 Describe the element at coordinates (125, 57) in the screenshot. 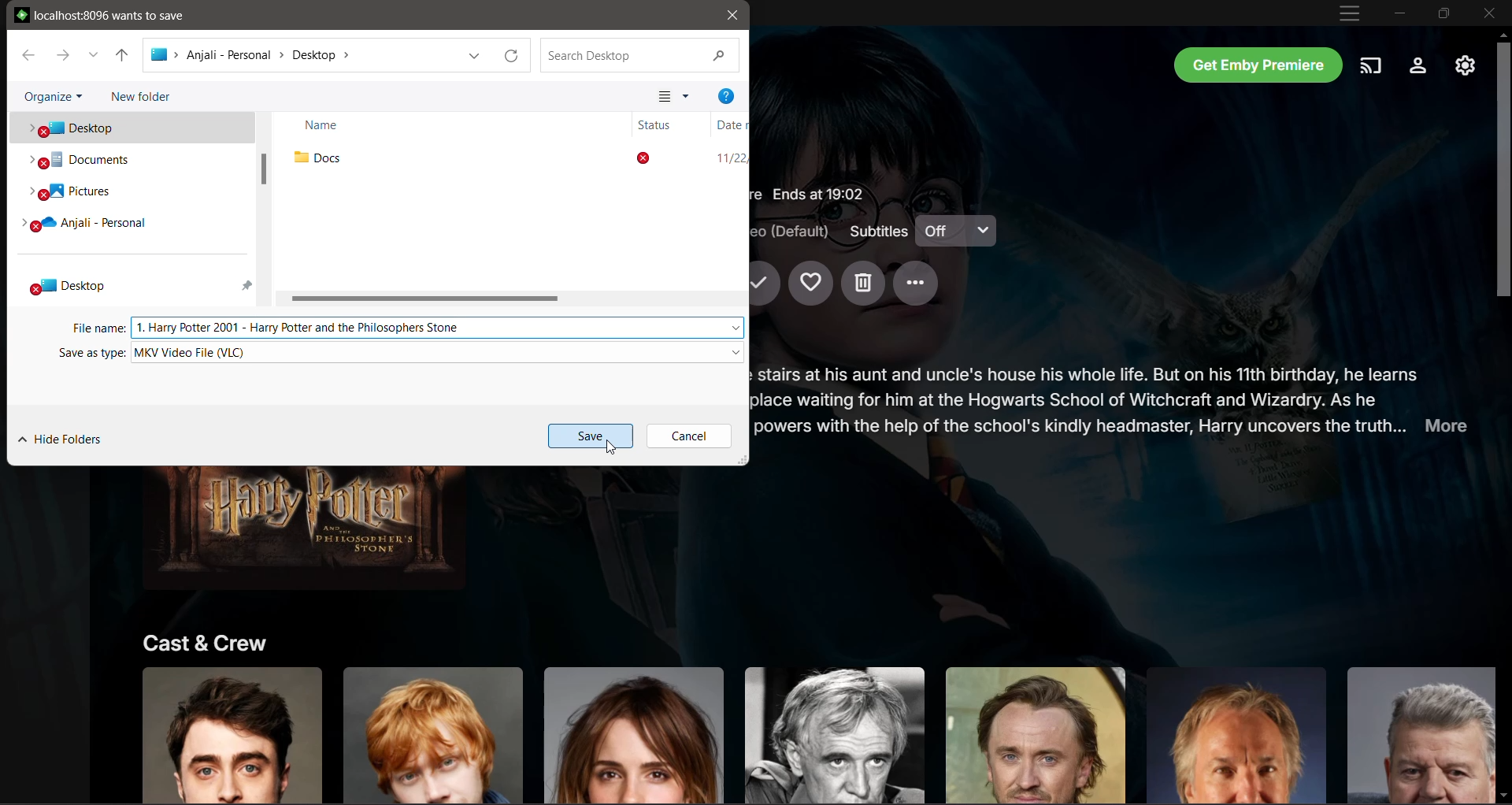

I see `Up one level` at that location.